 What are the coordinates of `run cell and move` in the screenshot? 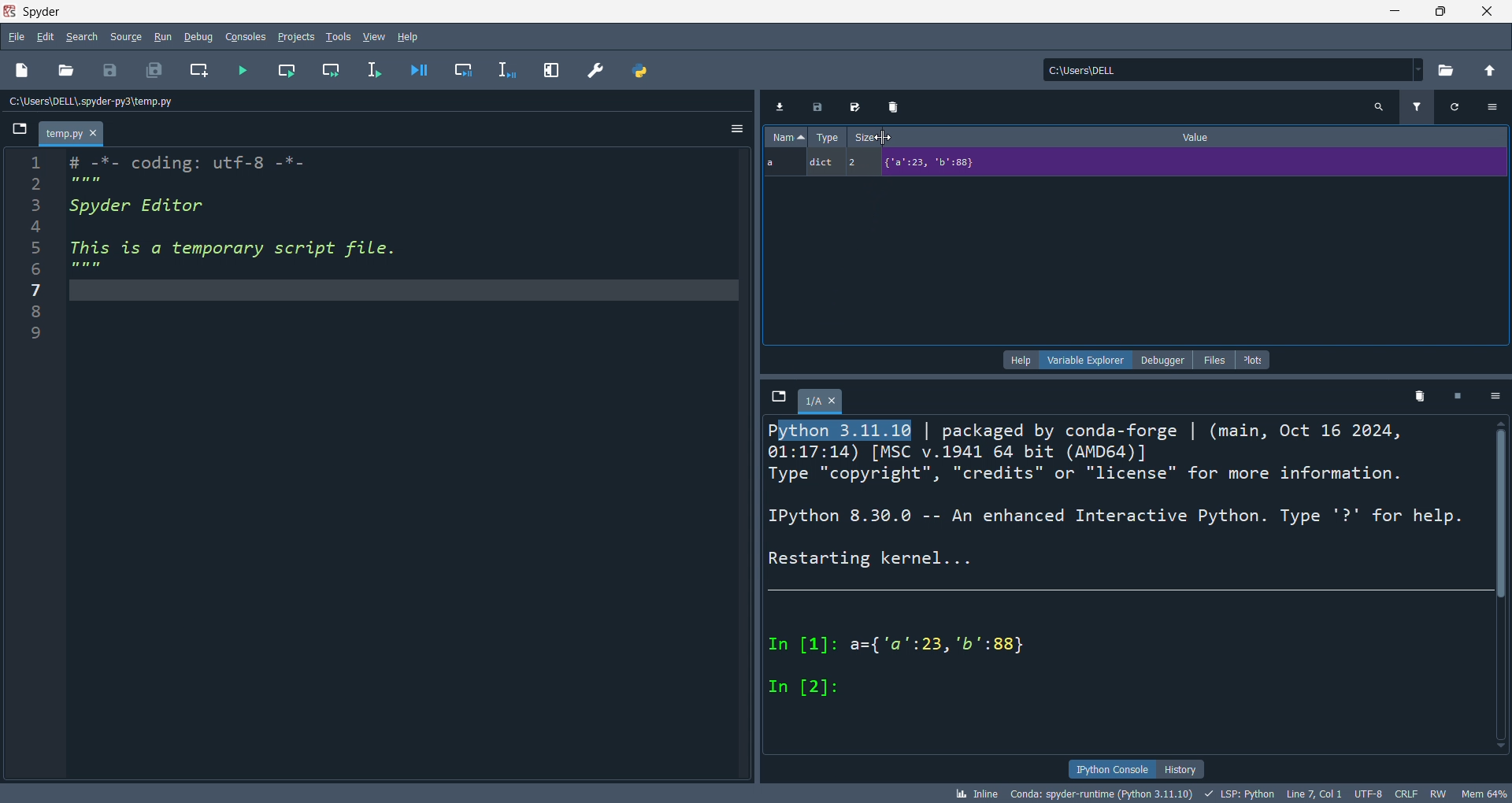 It's located at (332, 70).